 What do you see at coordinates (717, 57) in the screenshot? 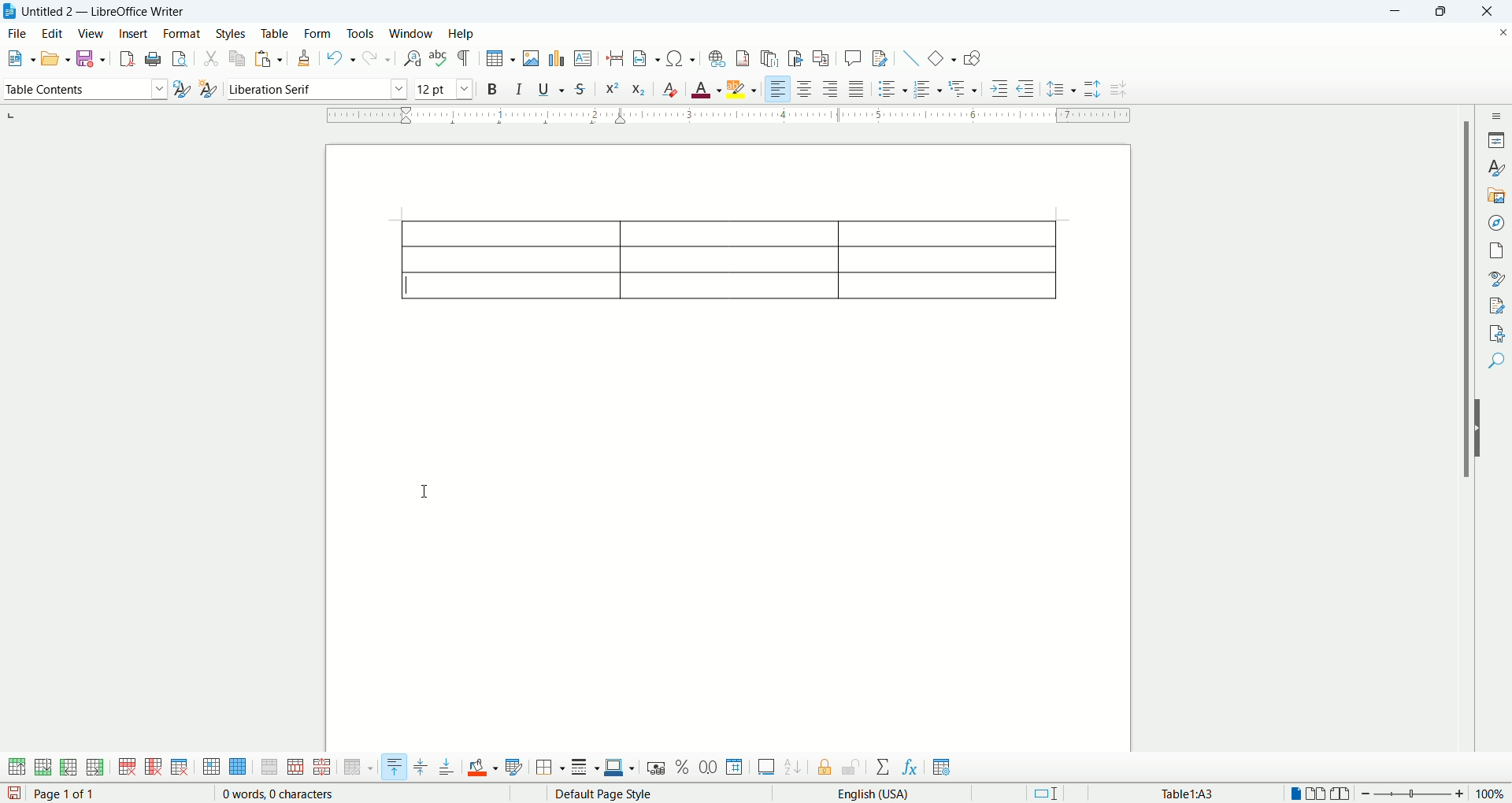
I see `insert hyperlink` at bounding box center [717, 57].